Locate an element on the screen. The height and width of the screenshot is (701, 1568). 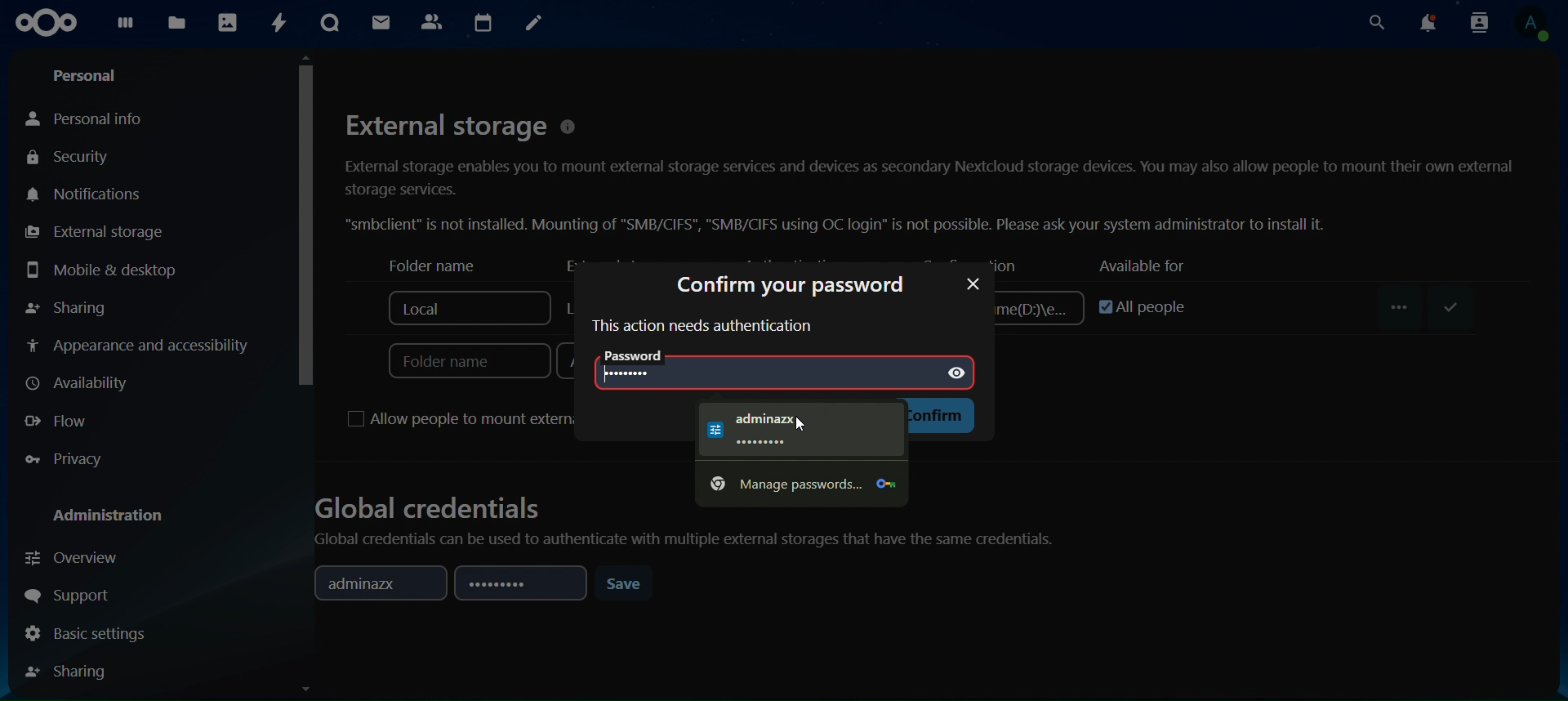
password is located at coordinates (518, 585).